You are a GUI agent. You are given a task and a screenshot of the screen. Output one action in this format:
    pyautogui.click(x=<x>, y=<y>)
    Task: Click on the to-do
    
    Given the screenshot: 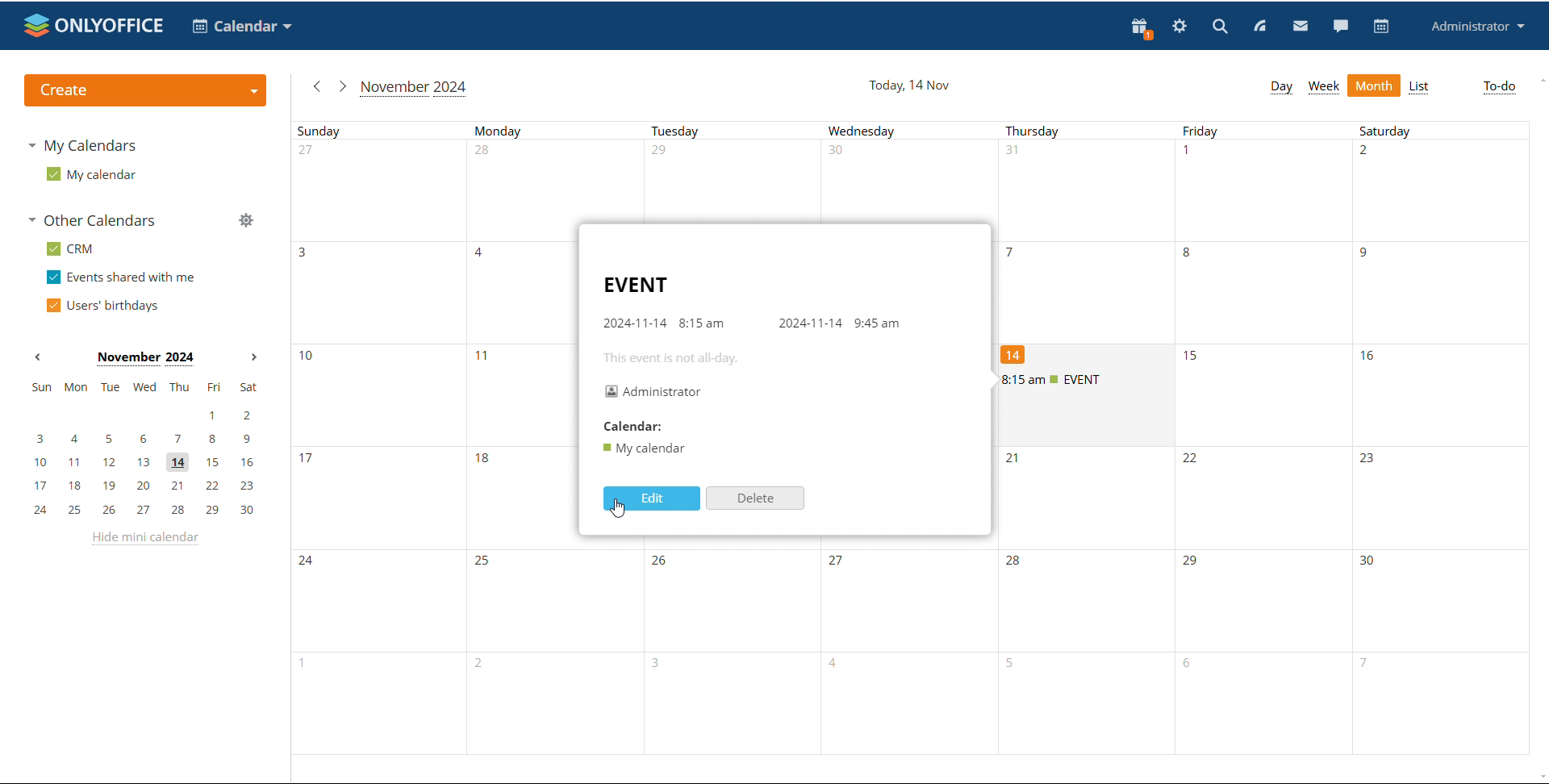 What is the action you would take?
    pyautogui.click(x=1500, y=87)
    